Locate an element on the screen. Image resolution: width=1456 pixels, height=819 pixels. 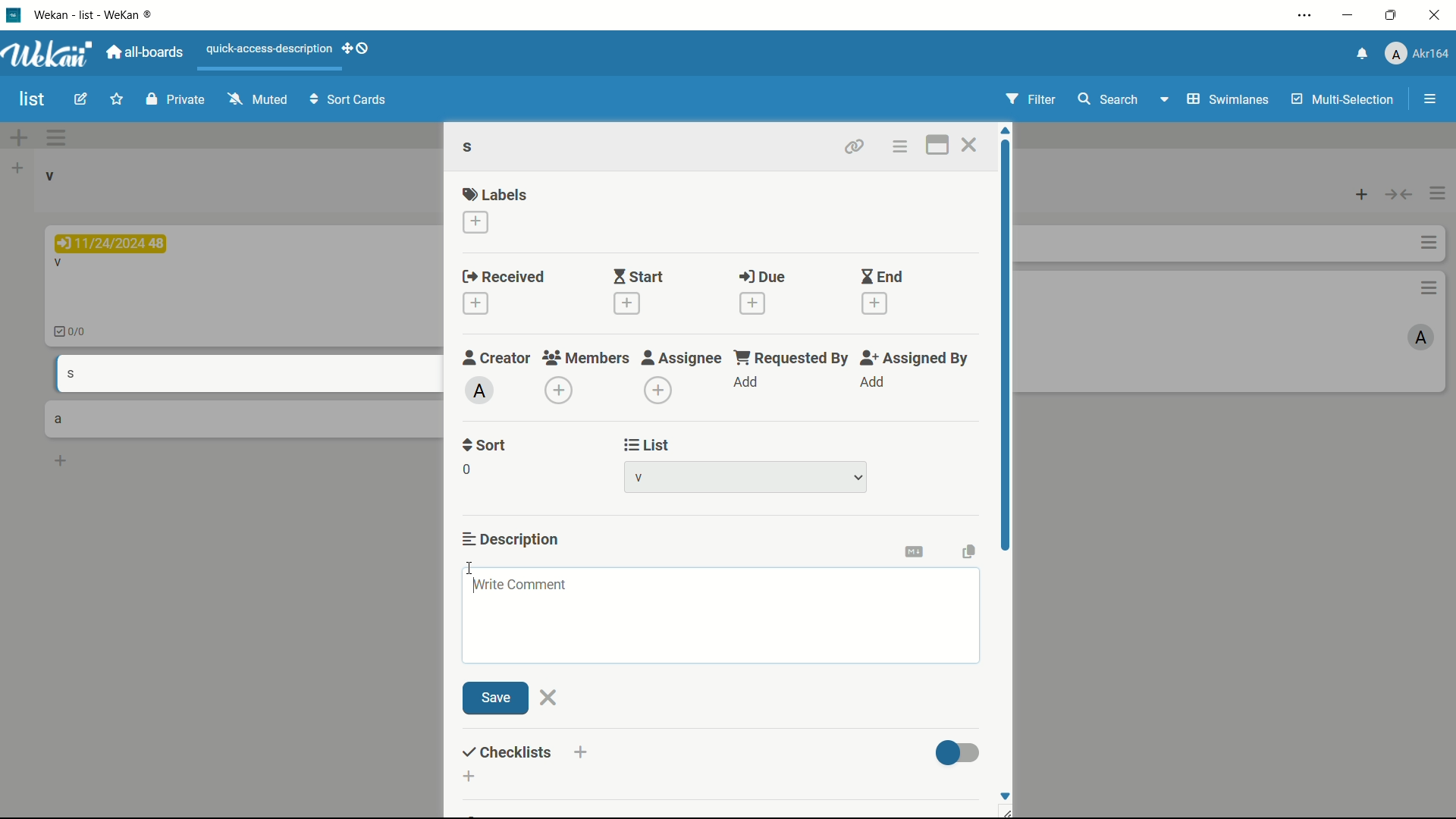
all boards is located at coordinates (144, 52).